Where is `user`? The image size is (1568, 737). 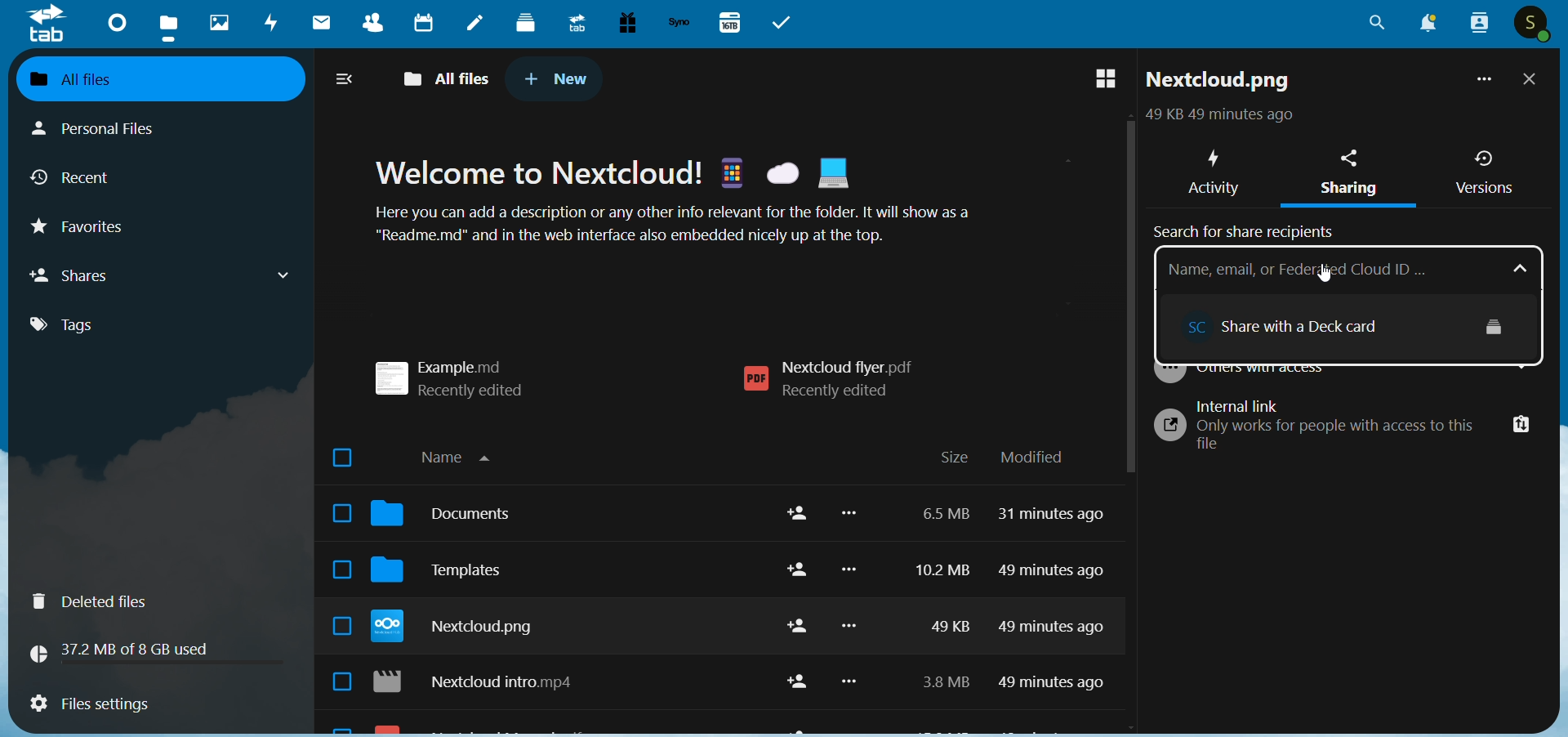
user is located at coordinates (1534, 25).